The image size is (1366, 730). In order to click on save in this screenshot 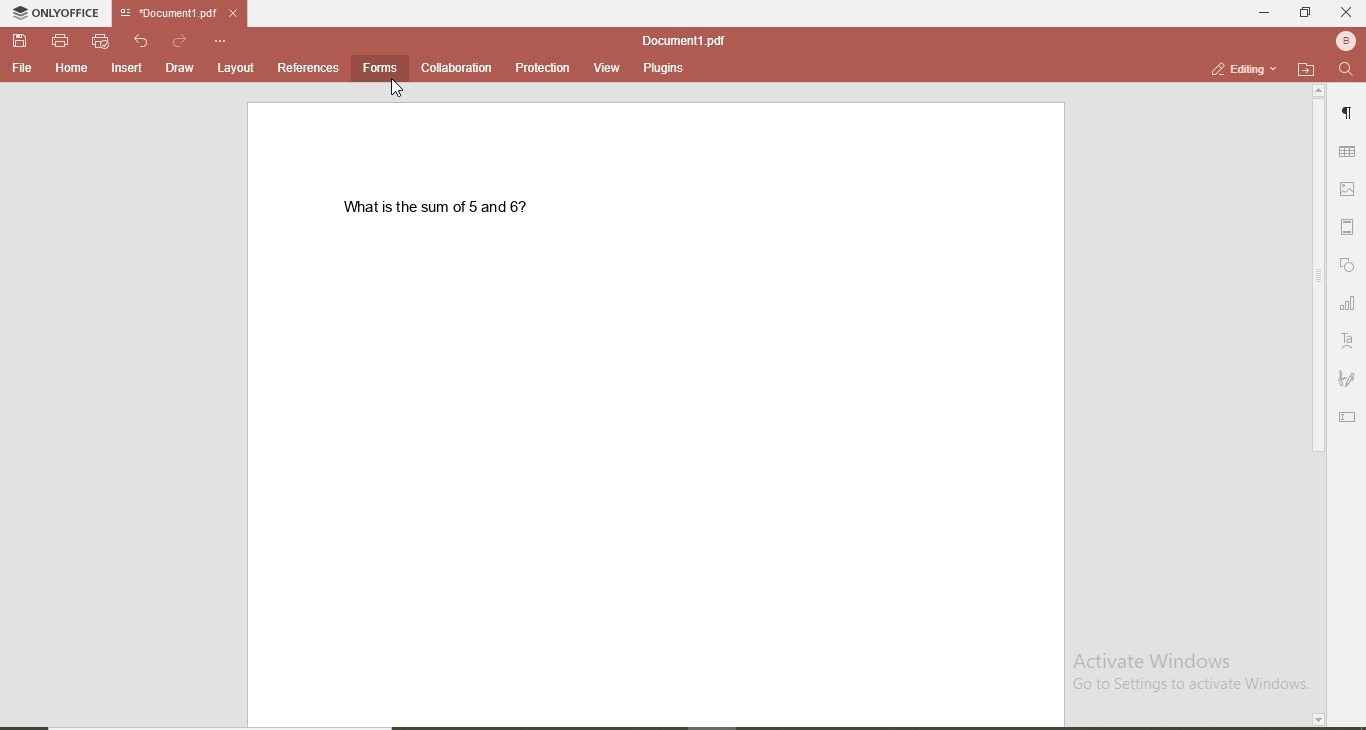, I will do `click(17, 39)`.